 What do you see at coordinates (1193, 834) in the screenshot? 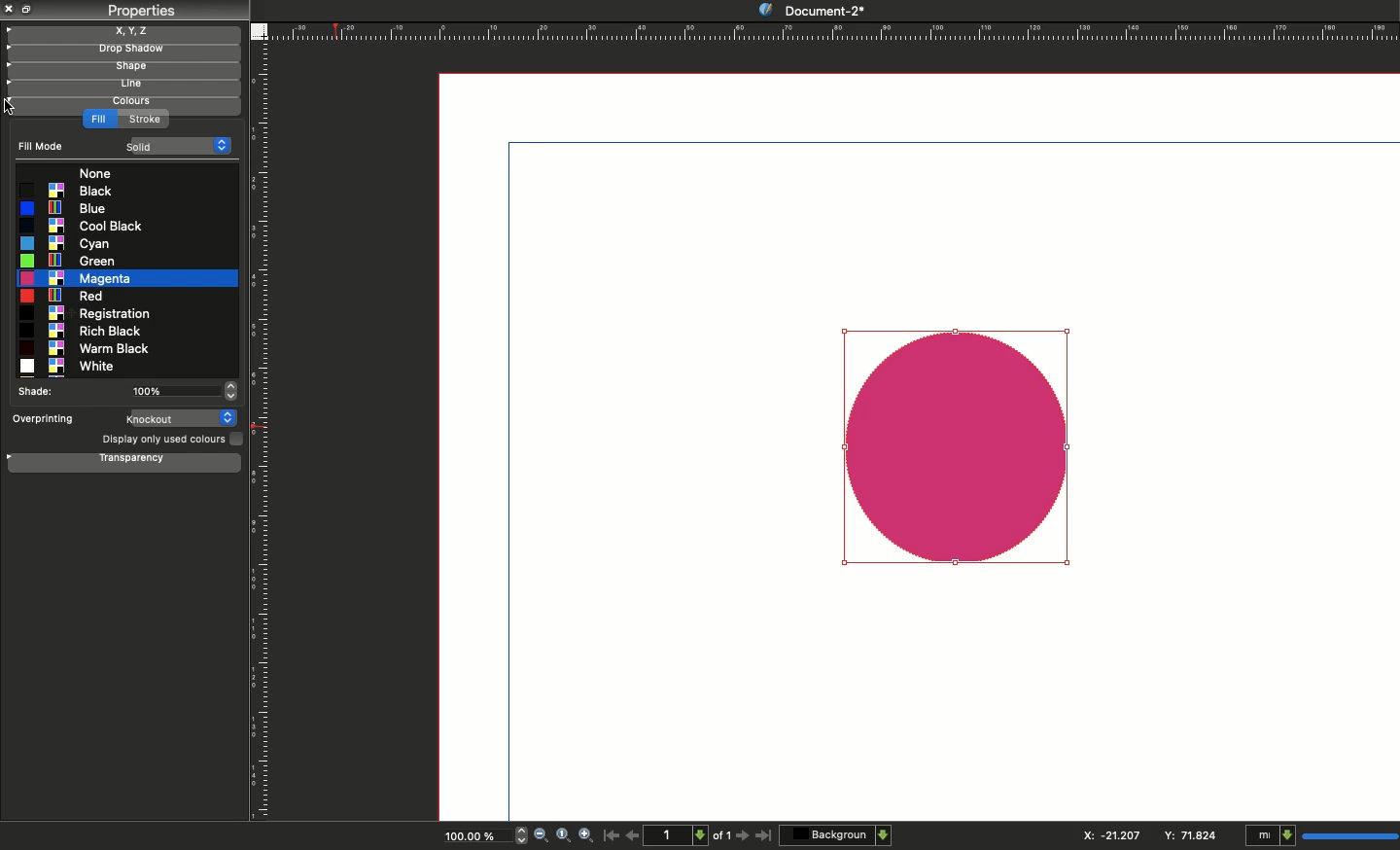
I see `Y: 84.706` at bounding box center [1193, 834].